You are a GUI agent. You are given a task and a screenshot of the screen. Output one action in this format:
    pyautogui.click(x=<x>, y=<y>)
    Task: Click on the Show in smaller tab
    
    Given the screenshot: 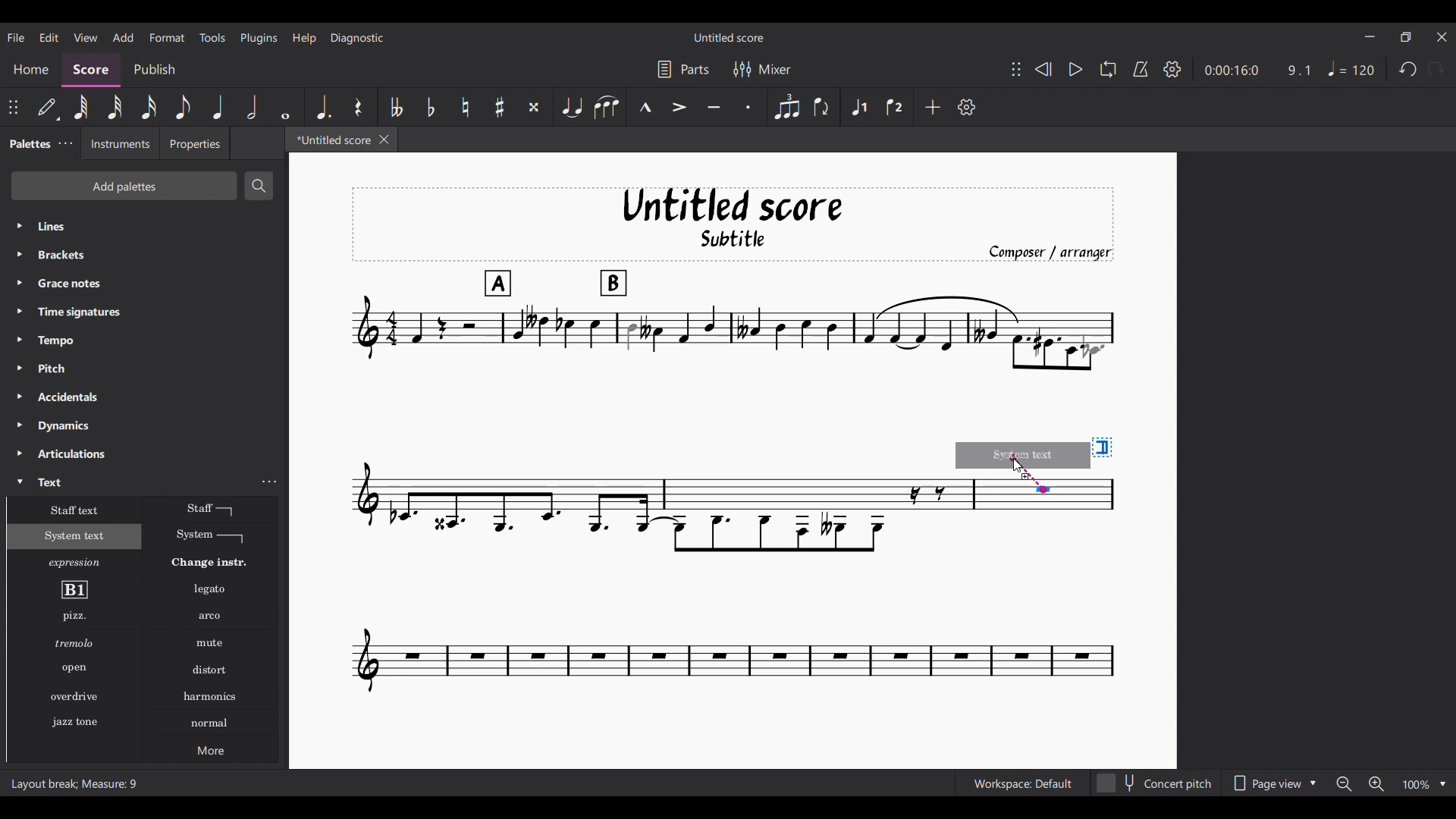 What is the action you would take?
    pyautogui.click(x=1405, y=37)
    